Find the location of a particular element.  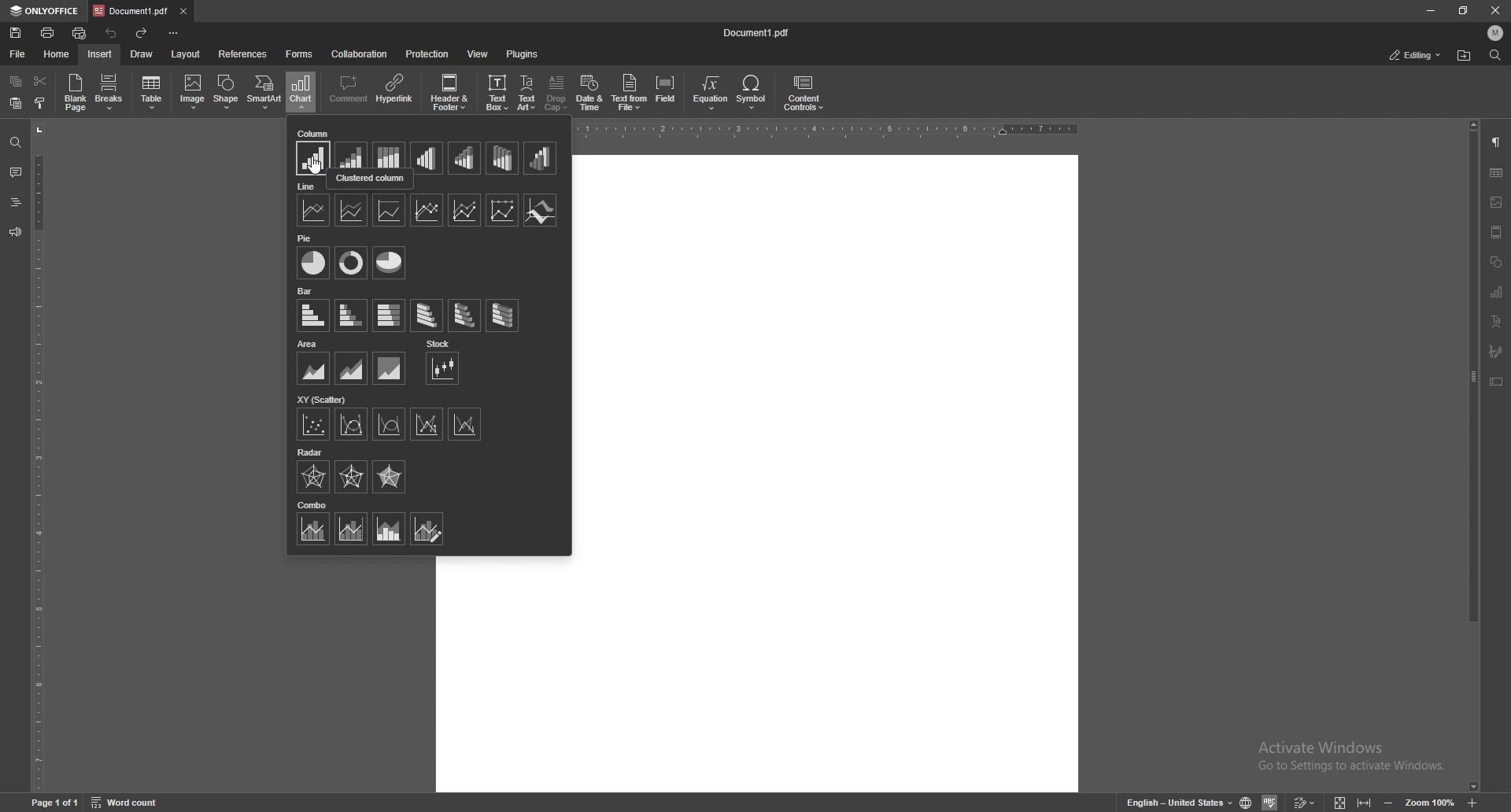

3-D 100% stacked column is located at coordinates (503, 158).